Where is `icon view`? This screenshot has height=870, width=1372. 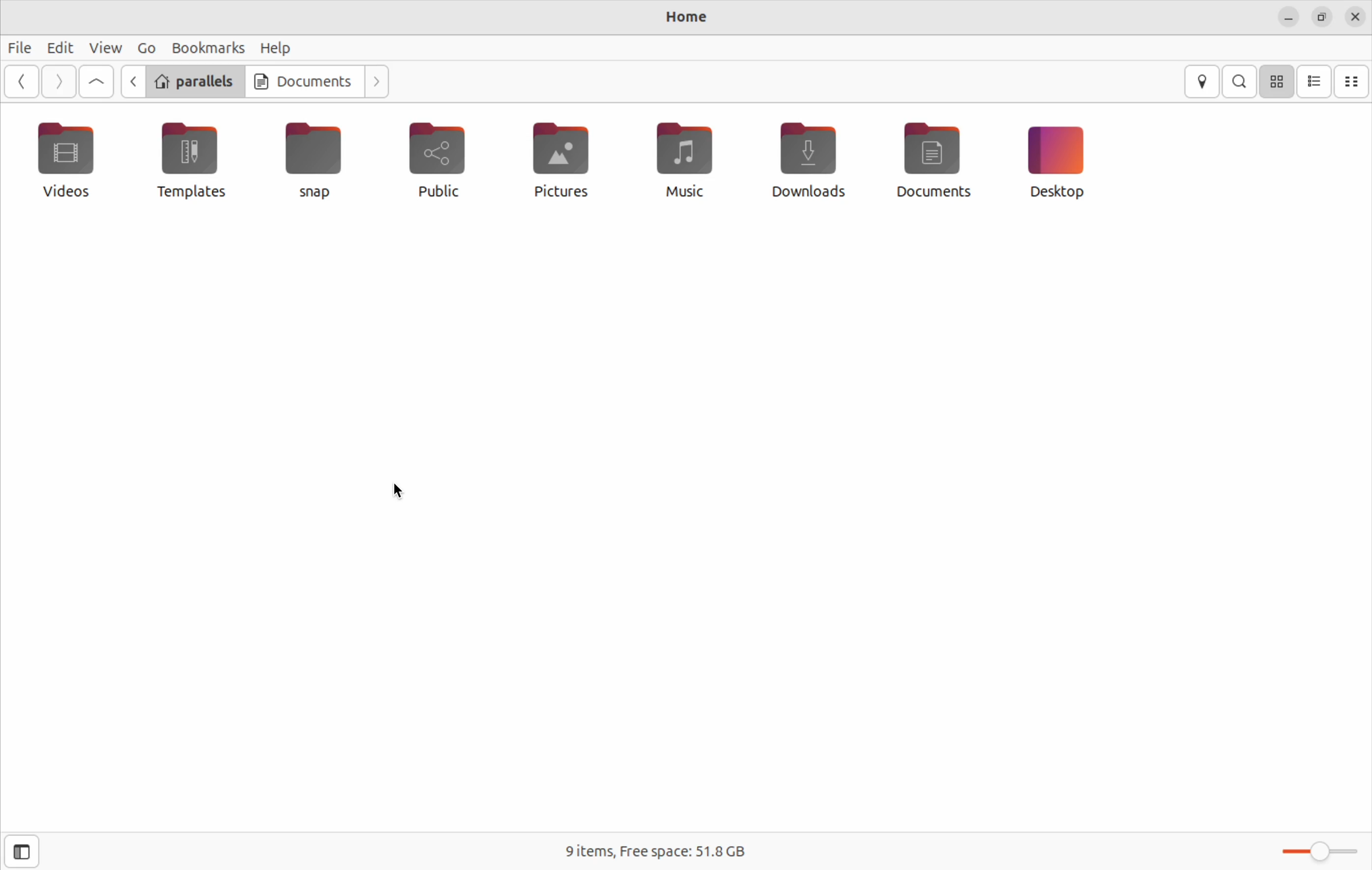 icon view is located at coordinates (1276, 81).